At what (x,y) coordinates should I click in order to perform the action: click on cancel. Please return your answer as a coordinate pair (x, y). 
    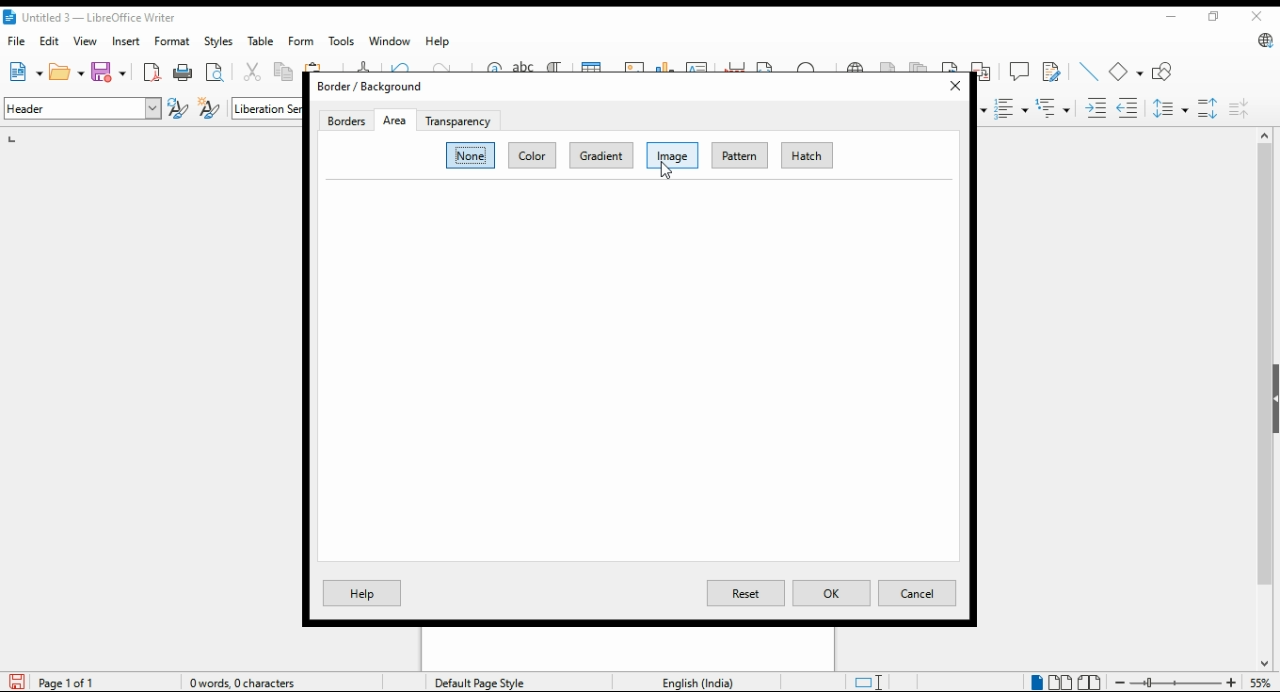
    Looking at the image, I should click on (916, 593).